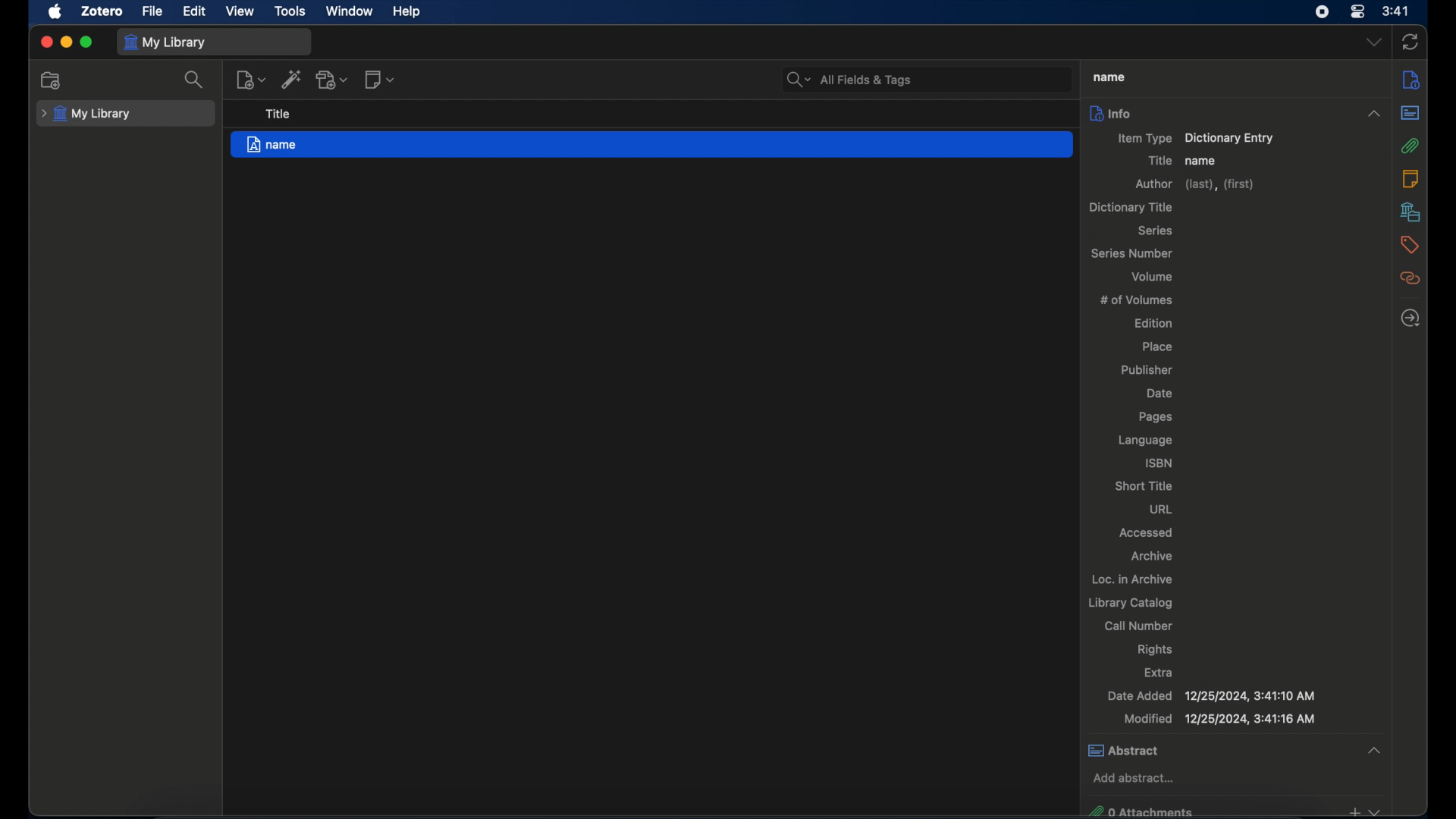  I want to click on library catalog, so click(1131, 603).